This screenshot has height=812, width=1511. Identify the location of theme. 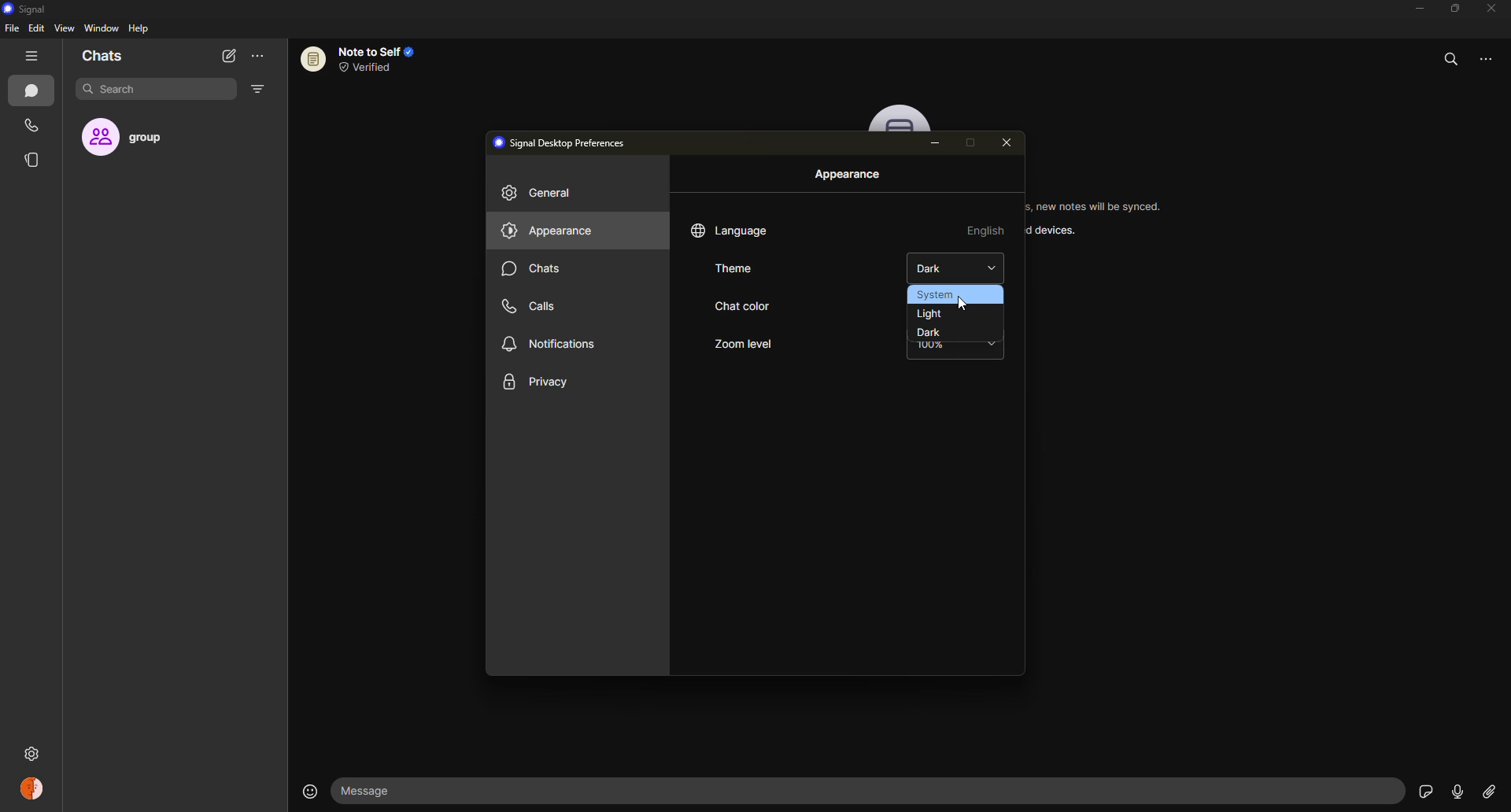
(737, 269).